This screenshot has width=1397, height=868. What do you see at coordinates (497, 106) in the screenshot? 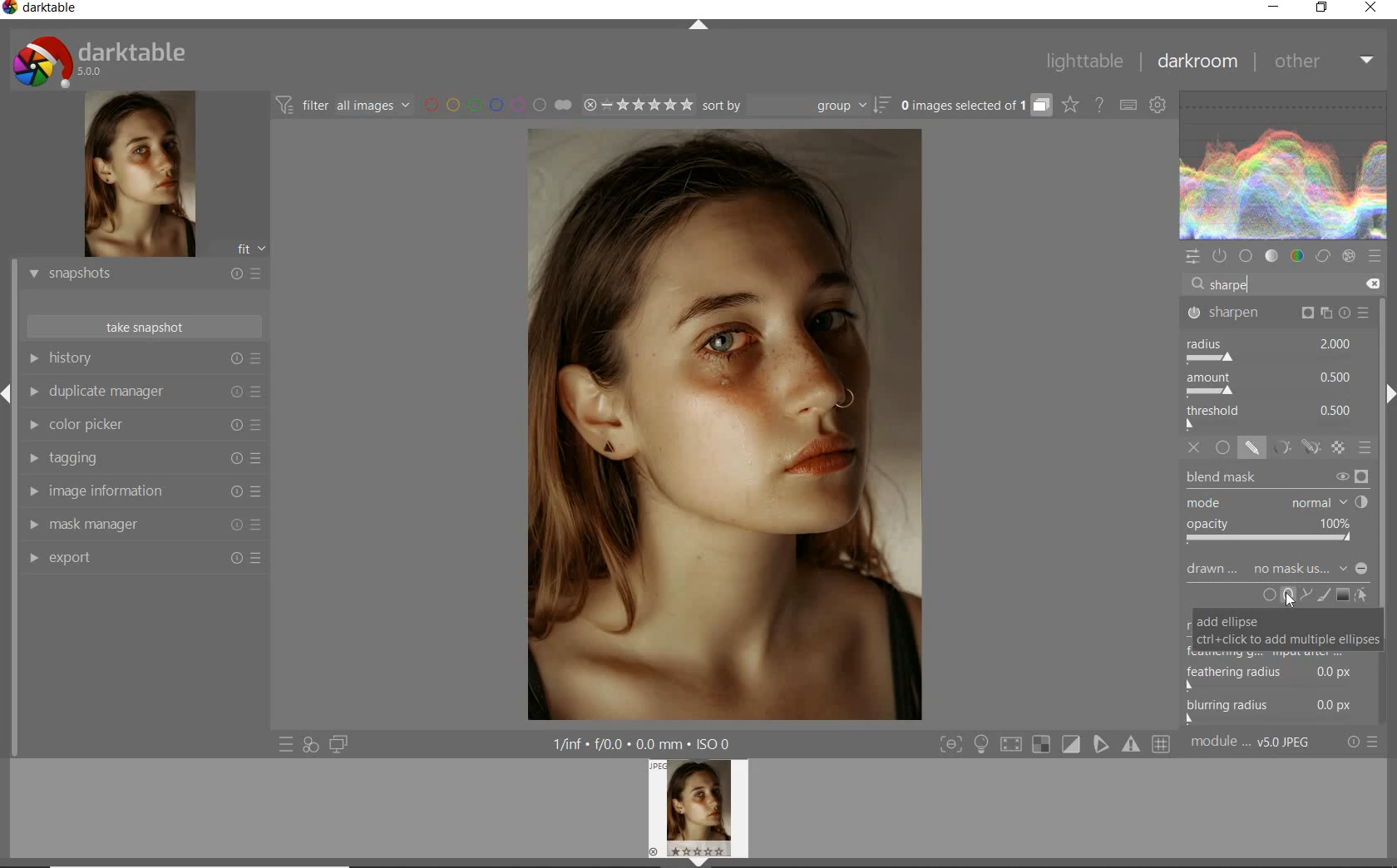
I see `filter by image color` at bounding box center [497, 106].